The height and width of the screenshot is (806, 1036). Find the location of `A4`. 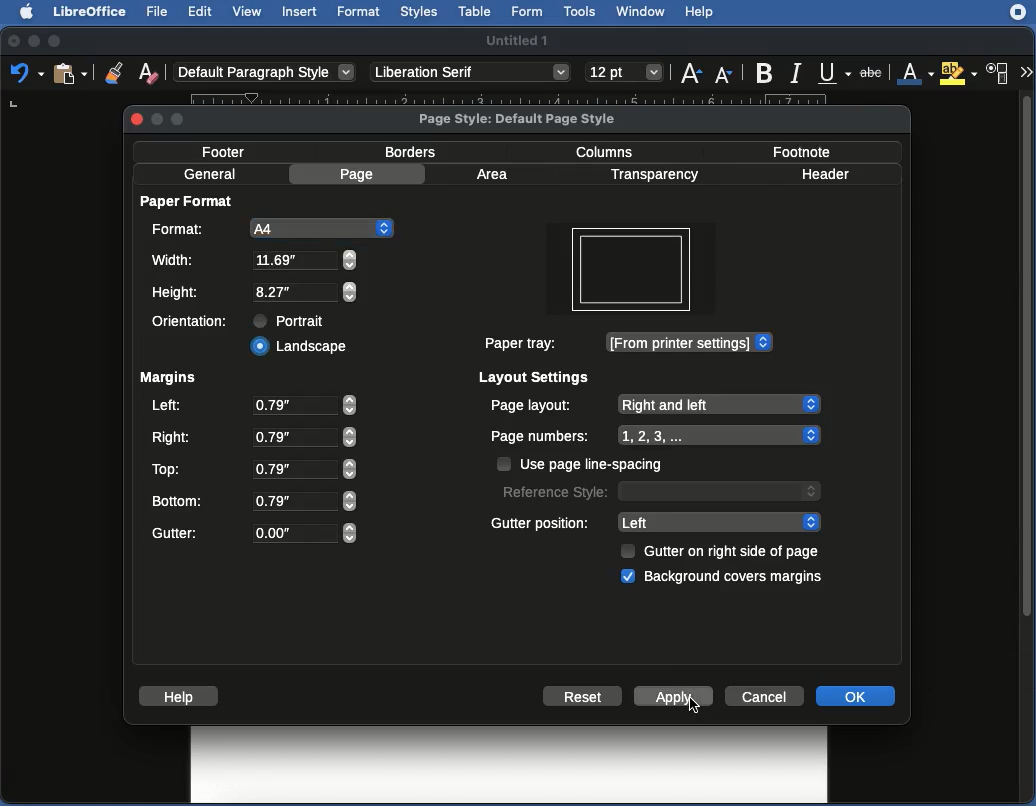

A4 is located at coordinates (321, 226).